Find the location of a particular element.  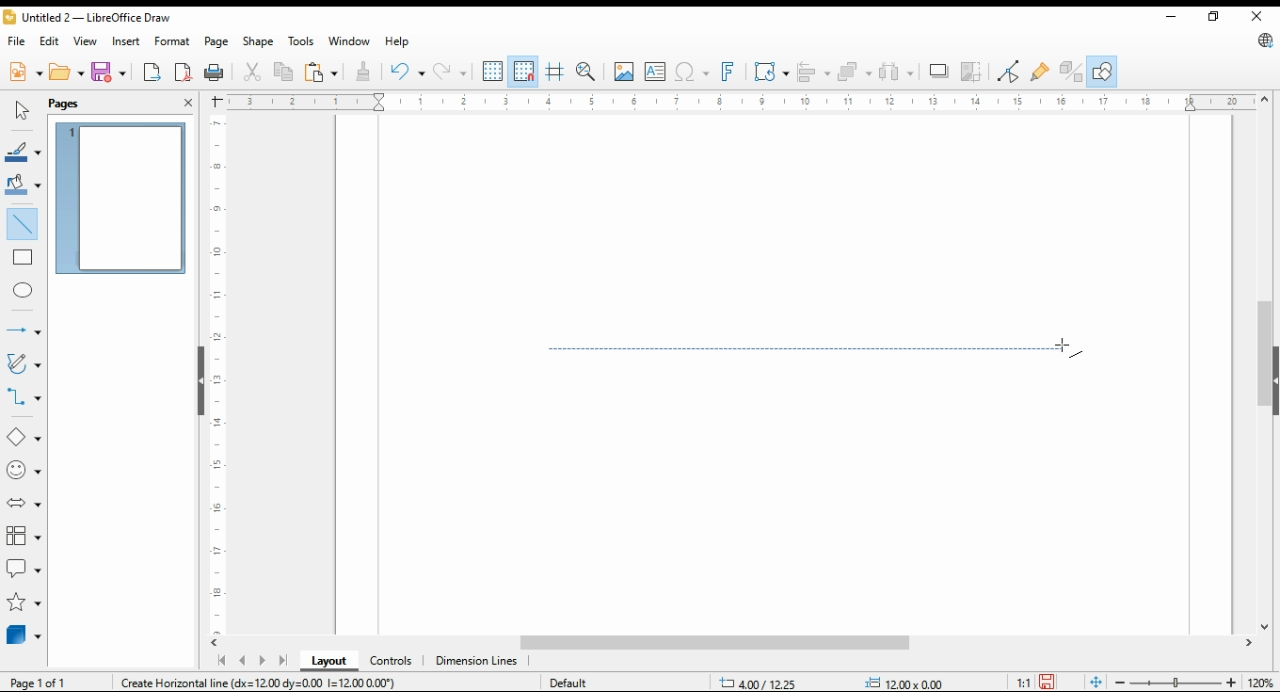

show gluepoint functions is located at coordinates (1038, 71).